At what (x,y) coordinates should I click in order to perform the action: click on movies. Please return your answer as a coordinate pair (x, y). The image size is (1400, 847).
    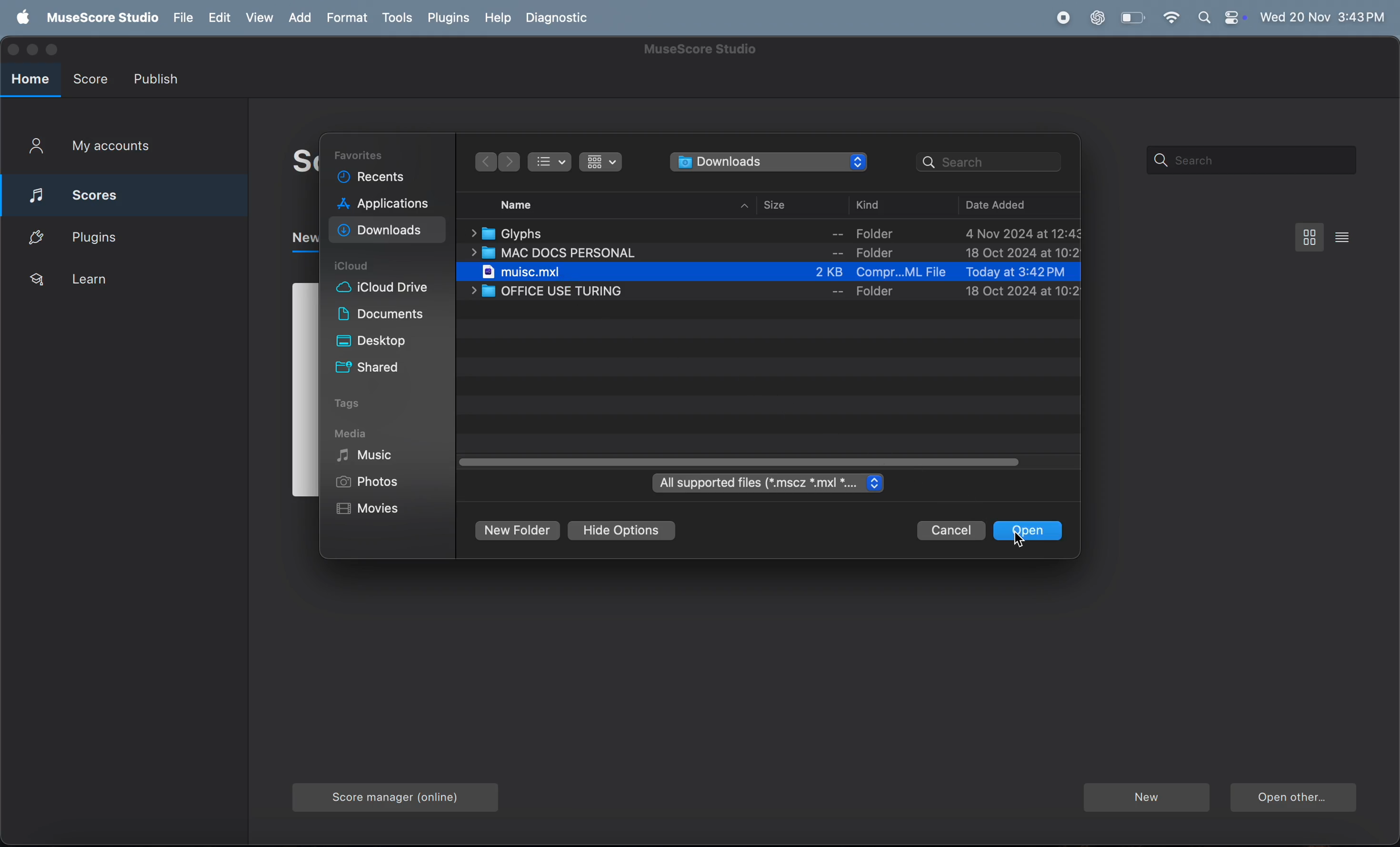
    Looking at the image, I should click on (380, 509).